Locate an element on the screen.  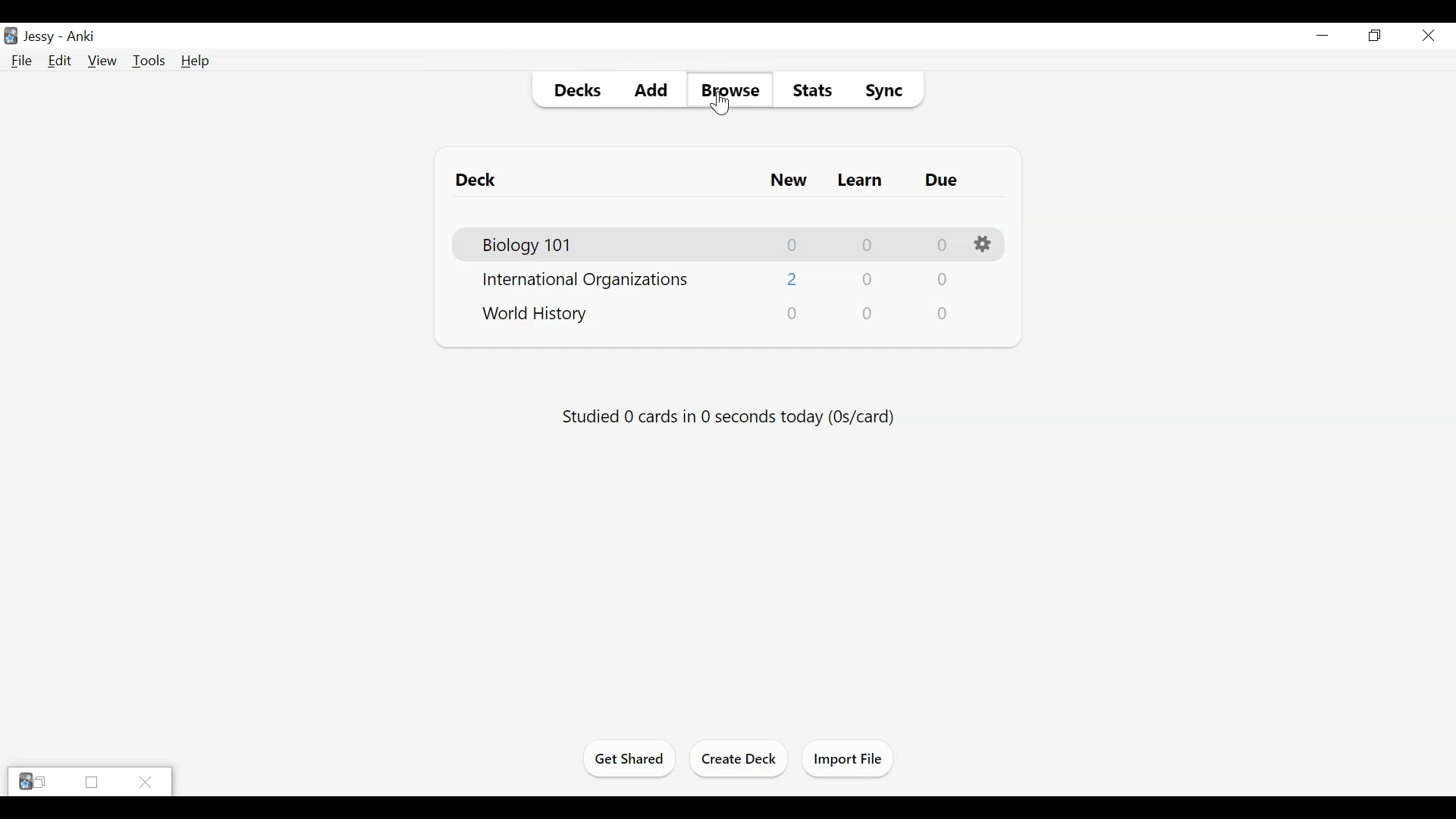
Browse is located at coordinates (729, 91).